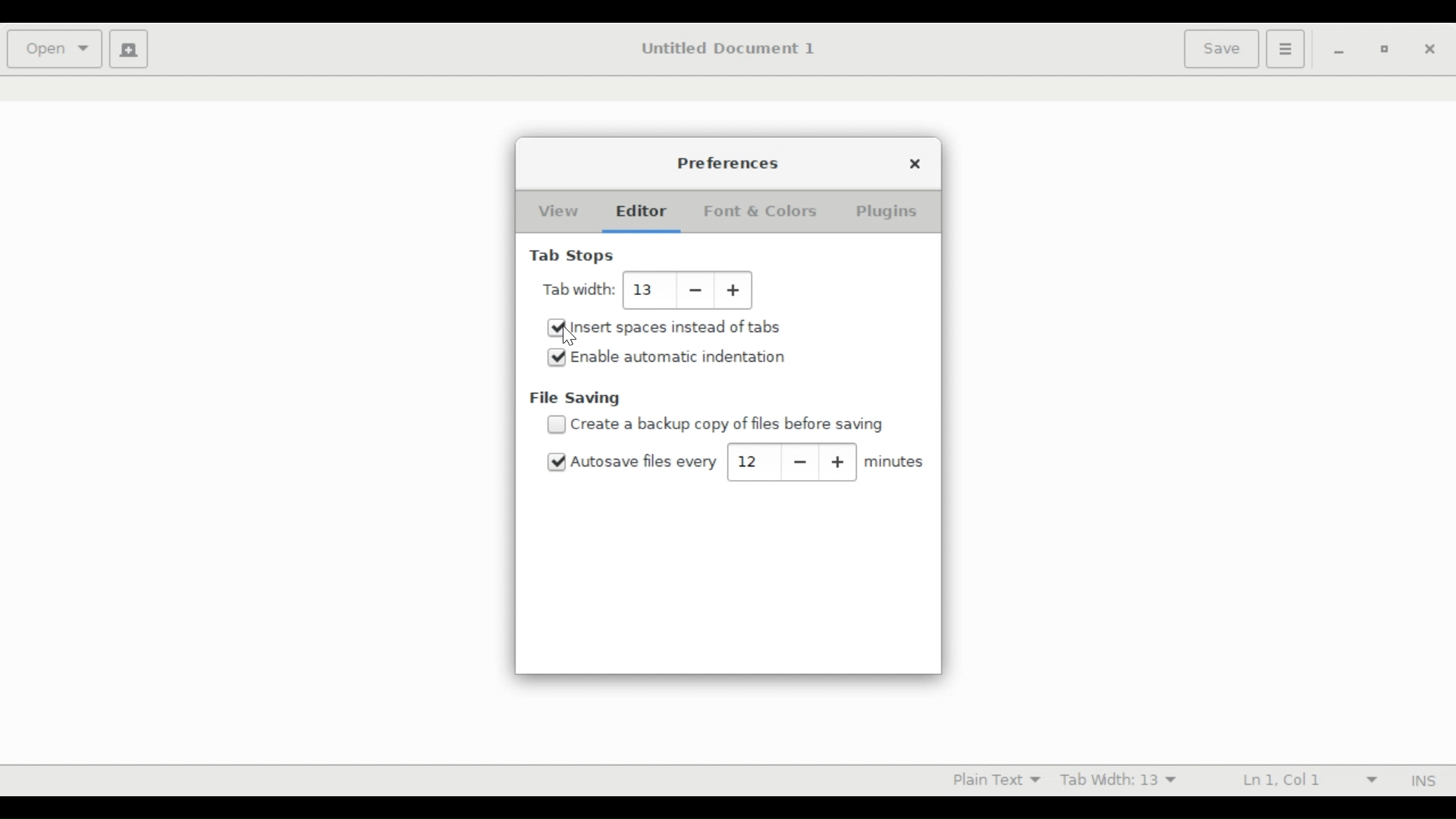  I want to click on Unselected, so click(556, 425).